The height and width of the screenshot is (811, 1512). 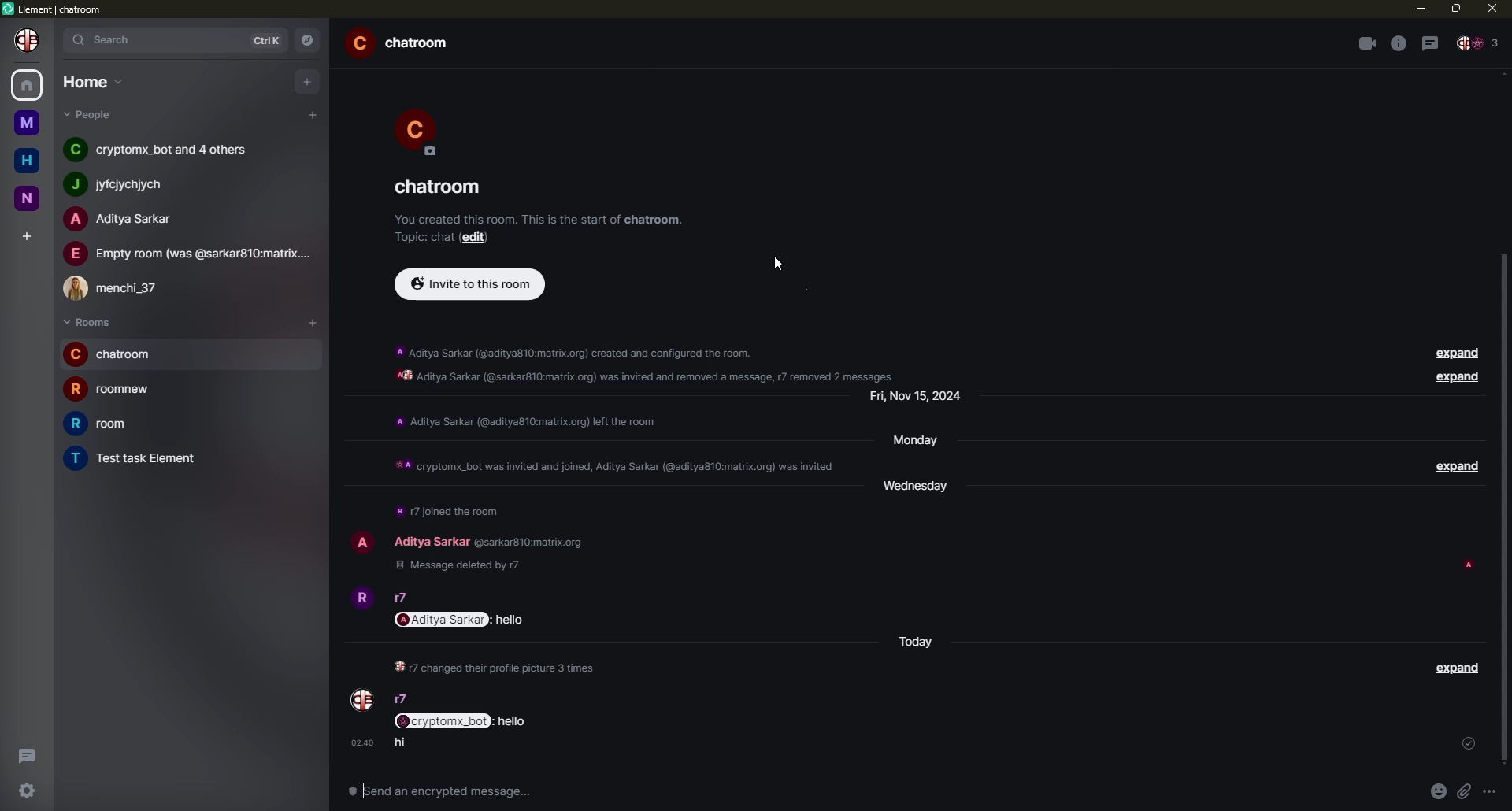 What do you see at coordinates (530, 422) in the screenshot?
I see `info` at bounding box center [530, 422].